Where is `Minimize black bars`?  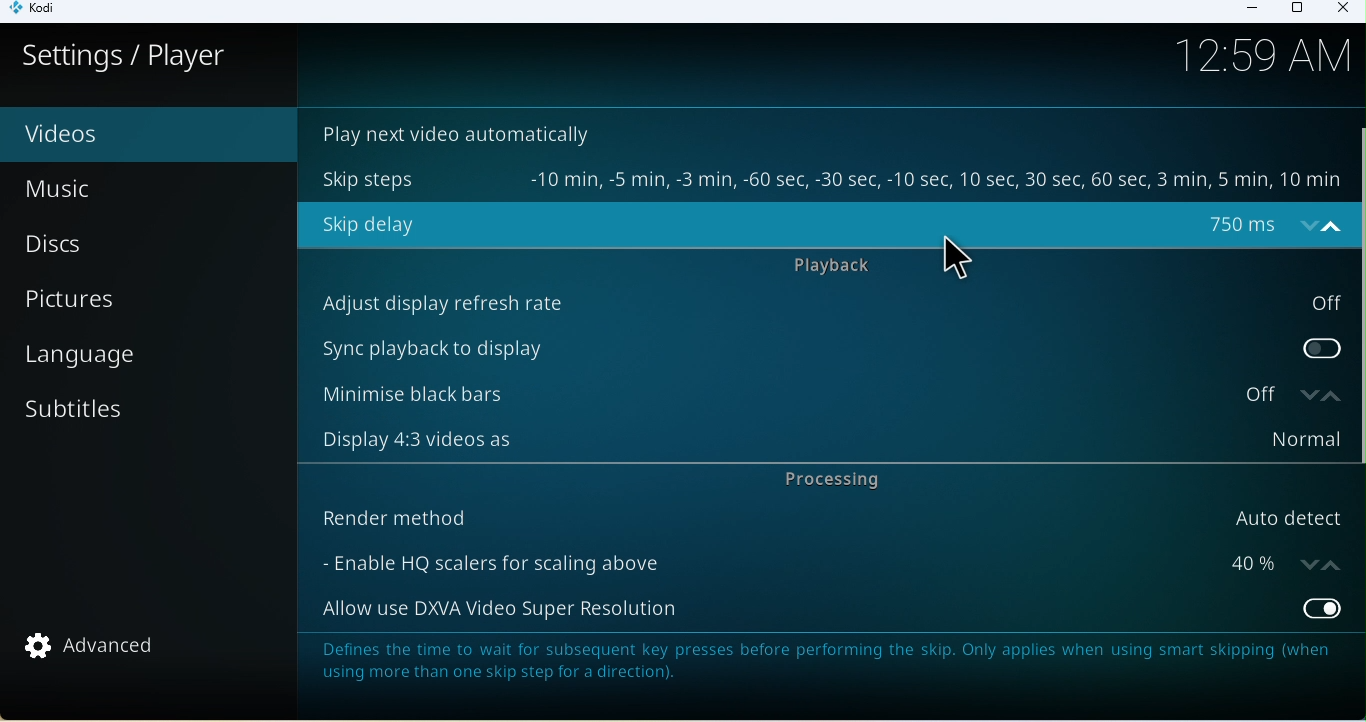
Minimize black bars is located at coordinates (793, 396).